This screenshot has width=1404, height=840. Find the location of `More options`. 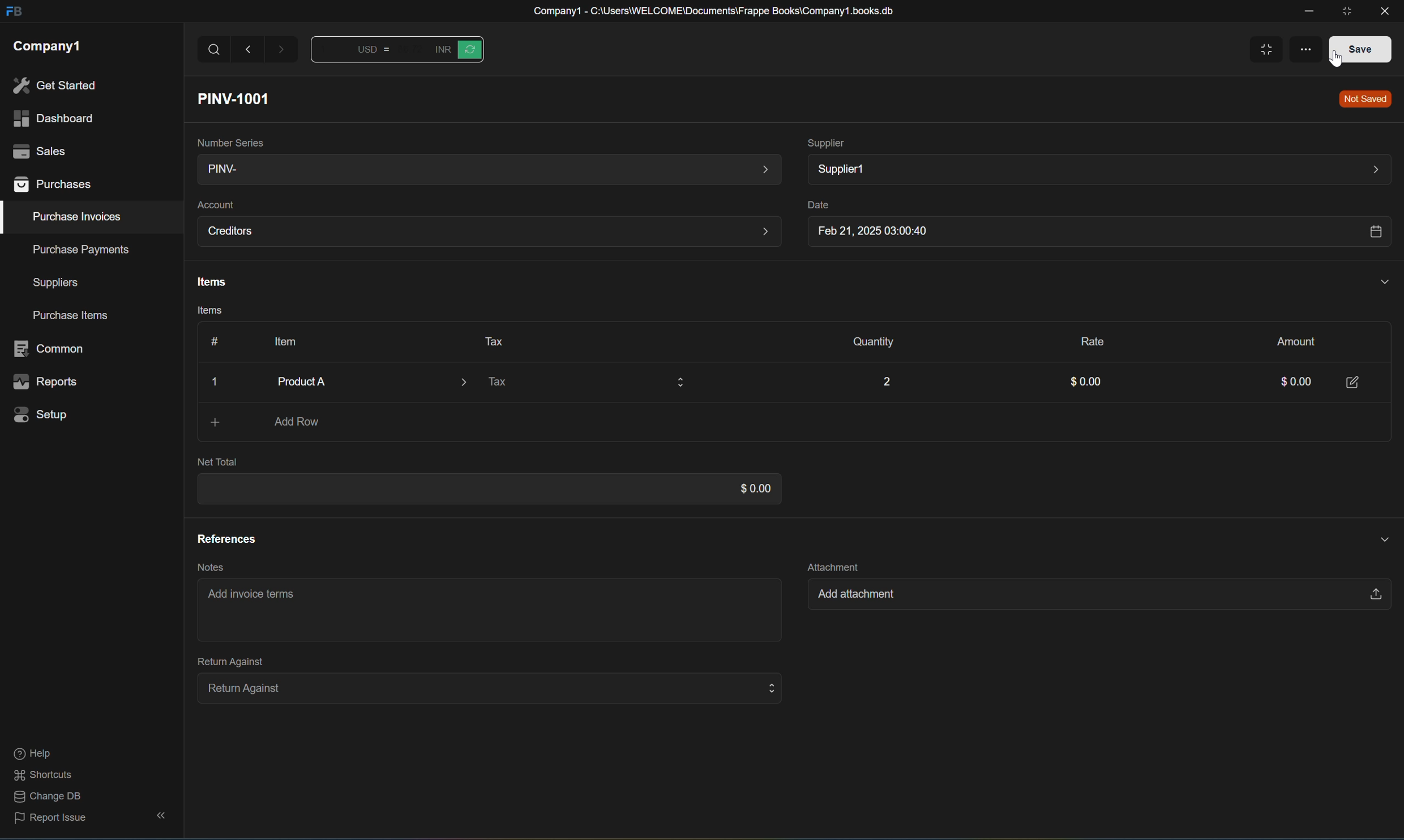

More options is located at coordinates (1303, 47).